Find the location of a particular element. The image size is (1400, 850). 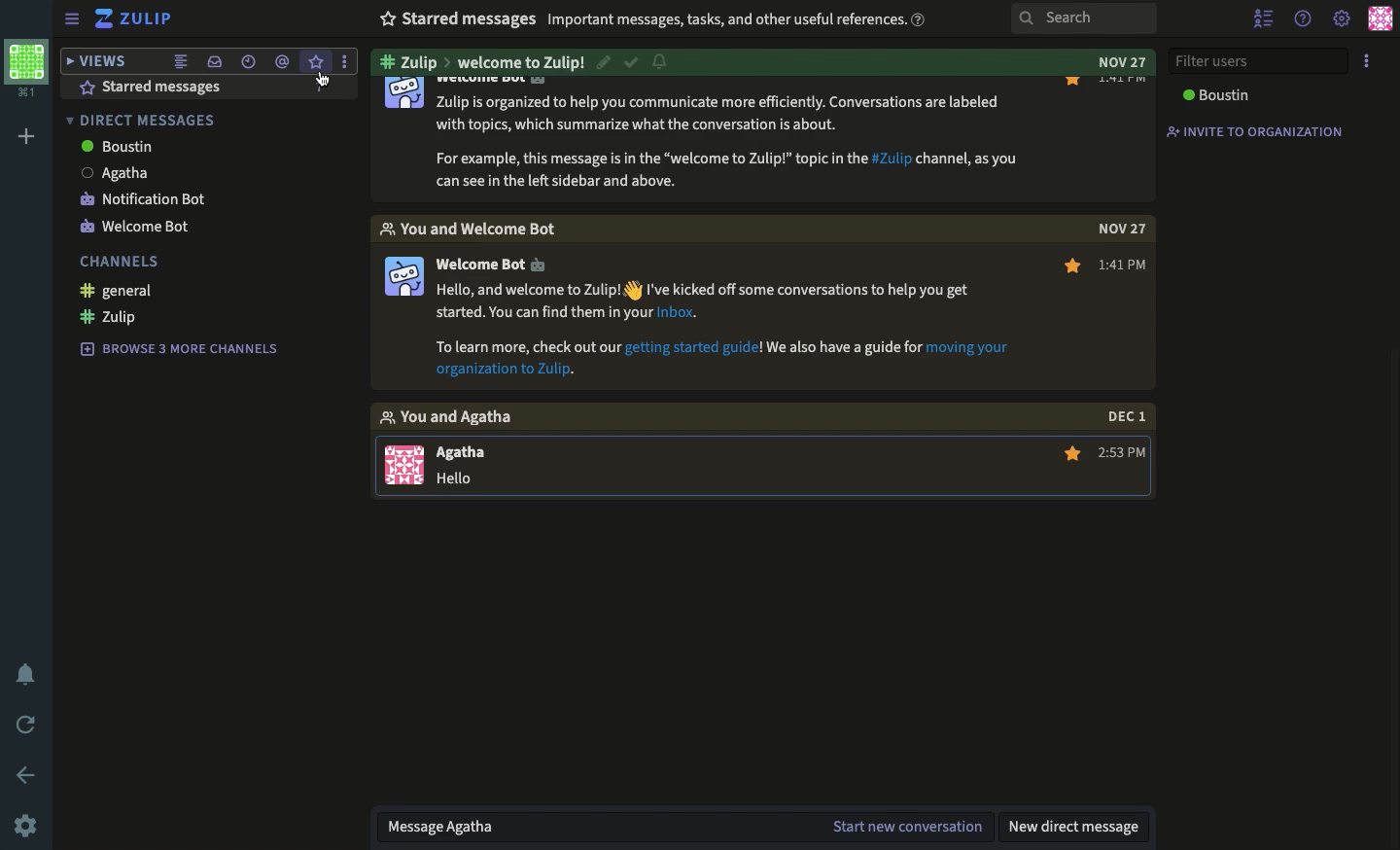

options is located at coordinates (1367, 62).